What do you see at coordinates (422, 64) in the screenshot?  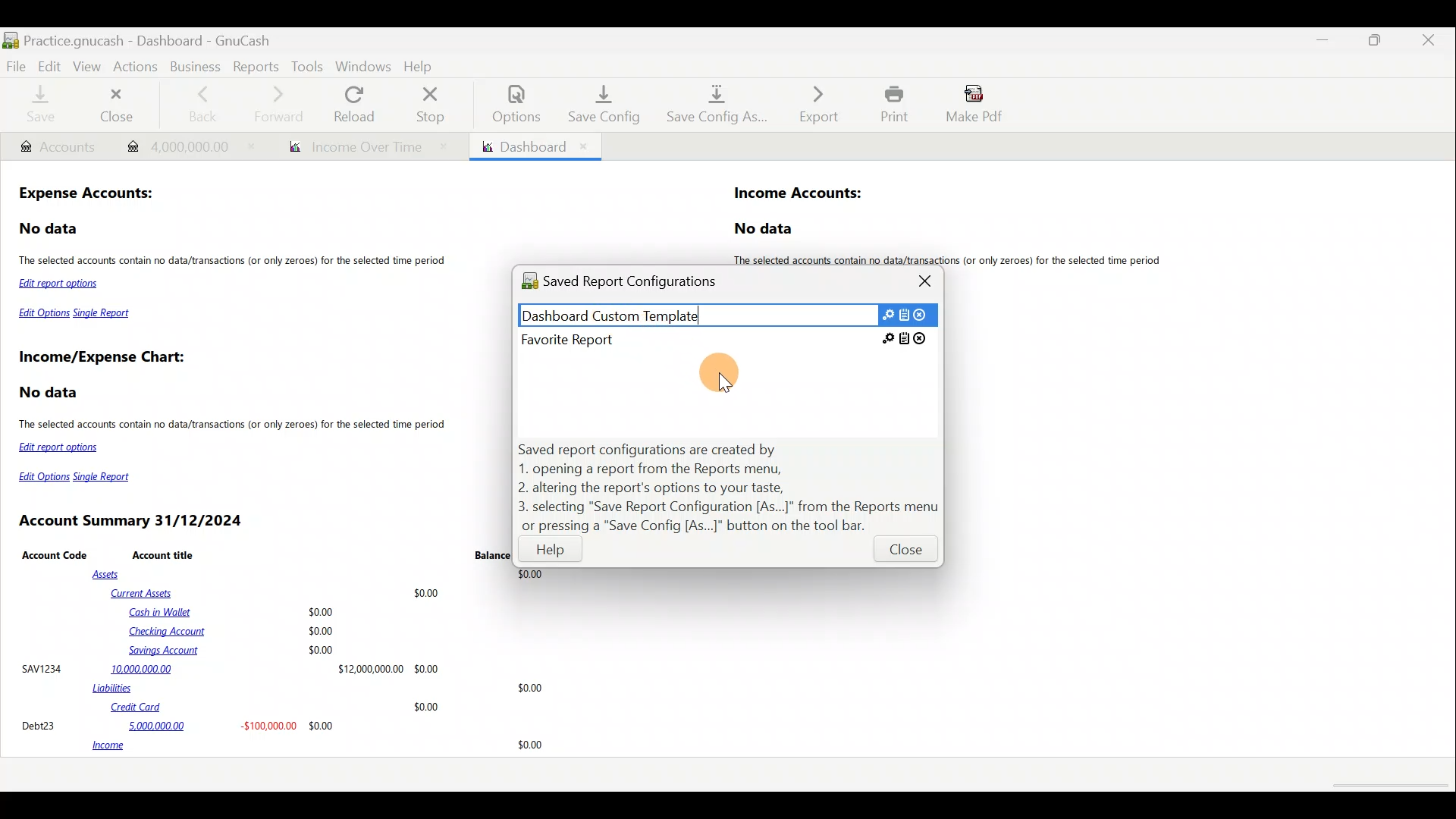 I see `Help` at bounding box center [422, 64].